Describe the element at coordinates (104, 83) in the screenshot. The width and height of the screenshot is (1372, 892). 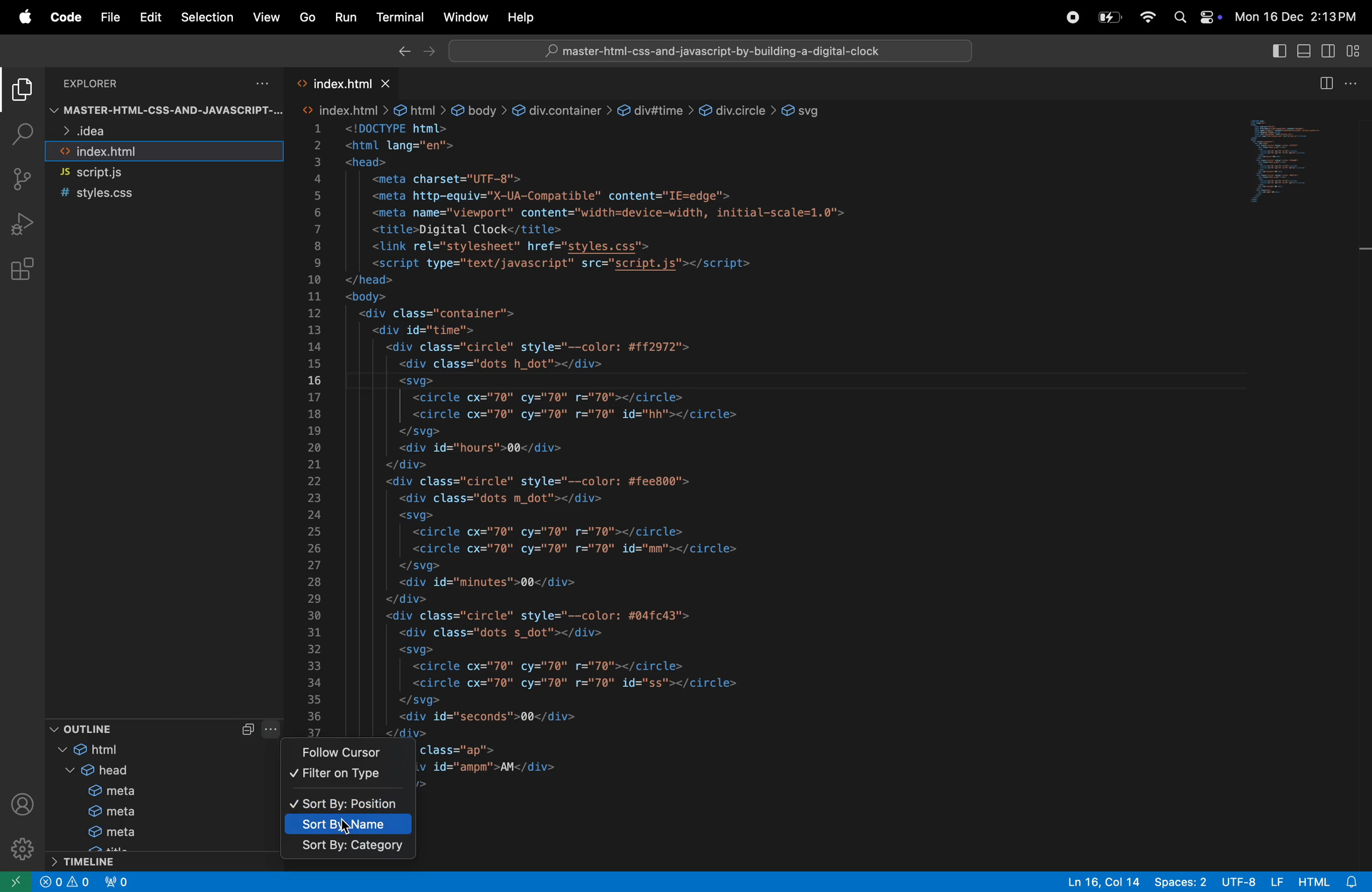
I see `Explorer` at that location.